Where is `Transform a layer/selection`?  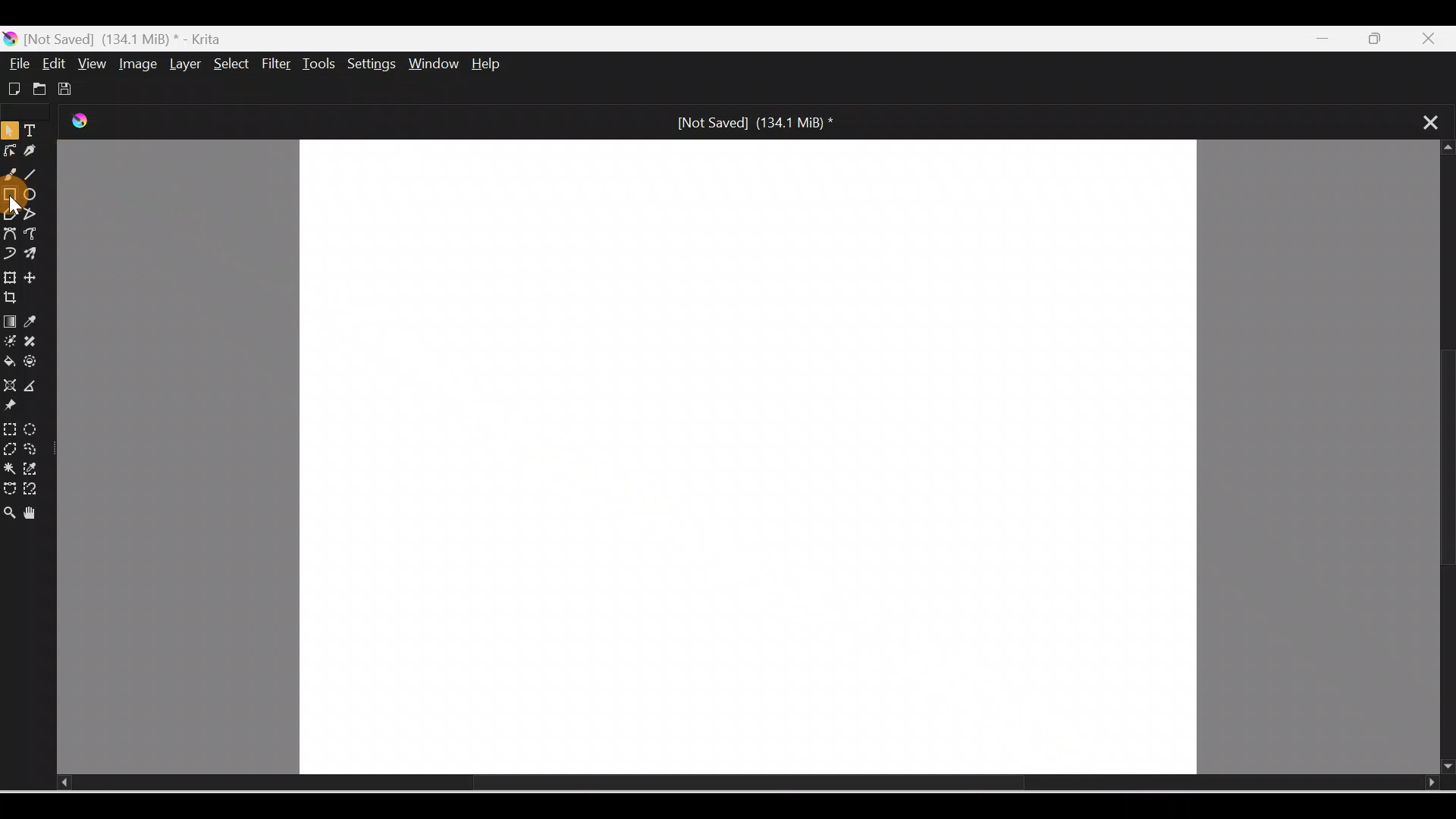 Transform a layer/selection is located at coordinates (10, 275).